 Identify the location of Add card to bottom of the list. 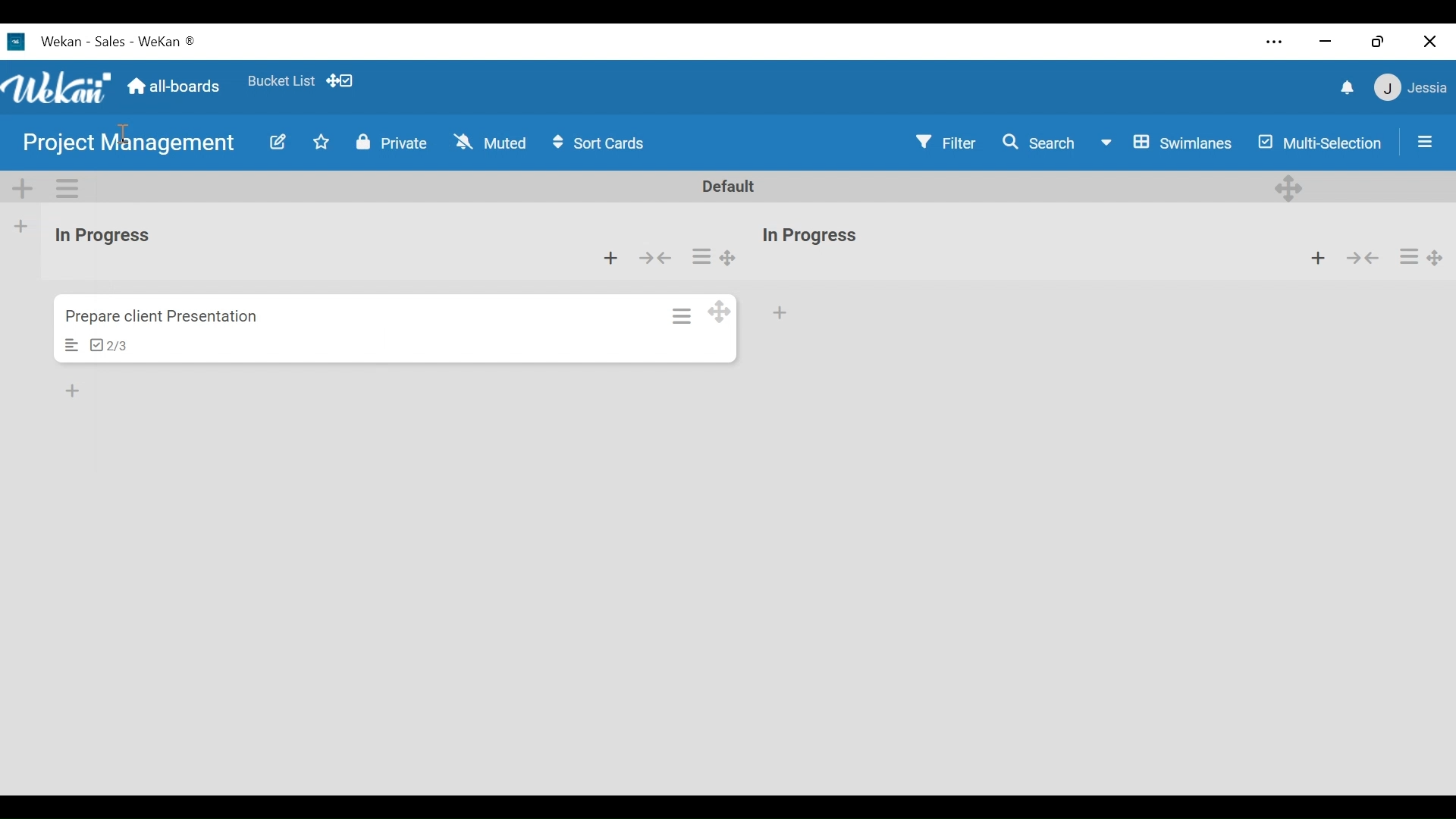
(74, 388).